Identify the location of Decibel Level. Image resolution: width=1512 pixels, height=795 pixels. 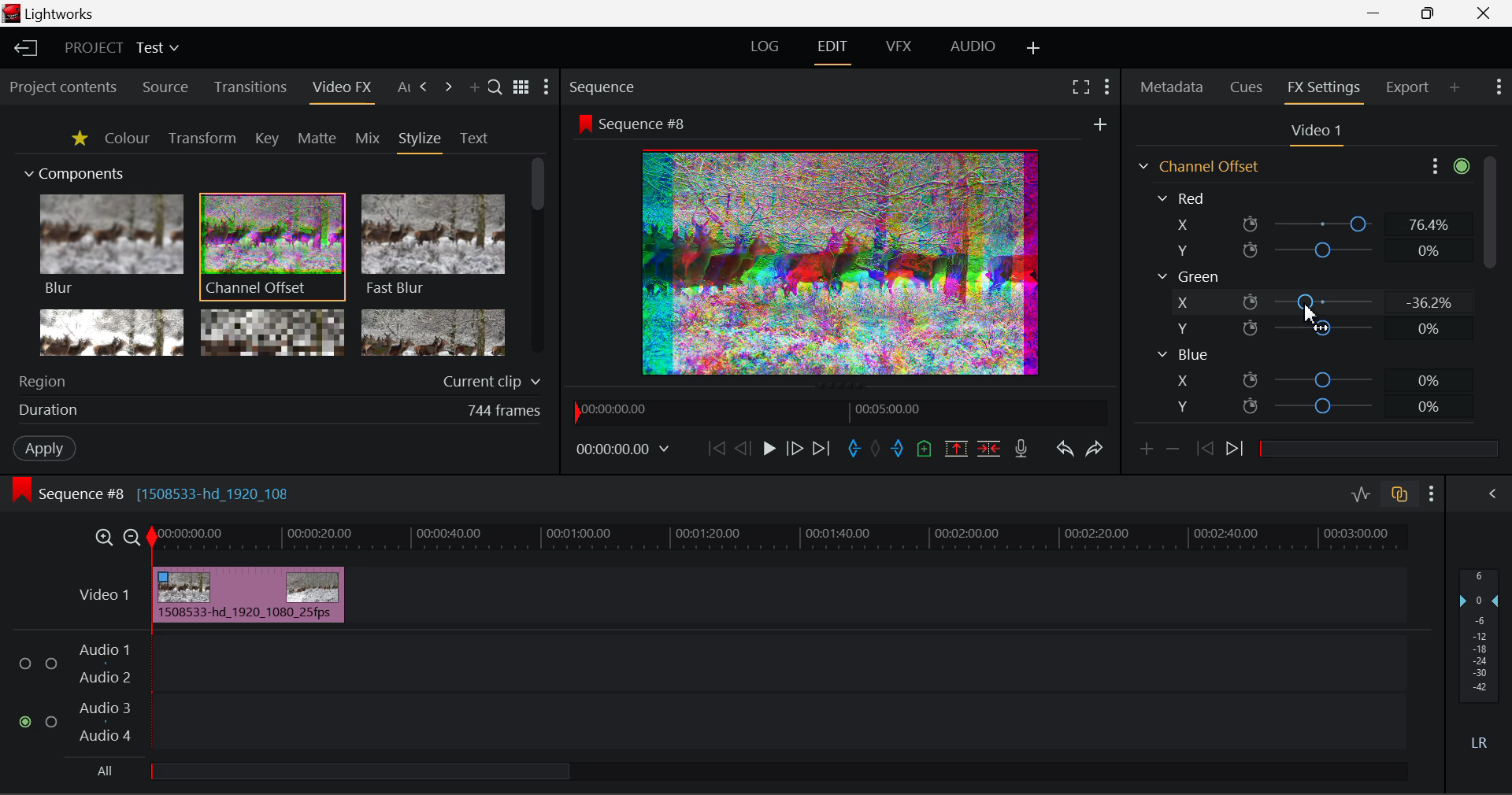
(1480, 657).